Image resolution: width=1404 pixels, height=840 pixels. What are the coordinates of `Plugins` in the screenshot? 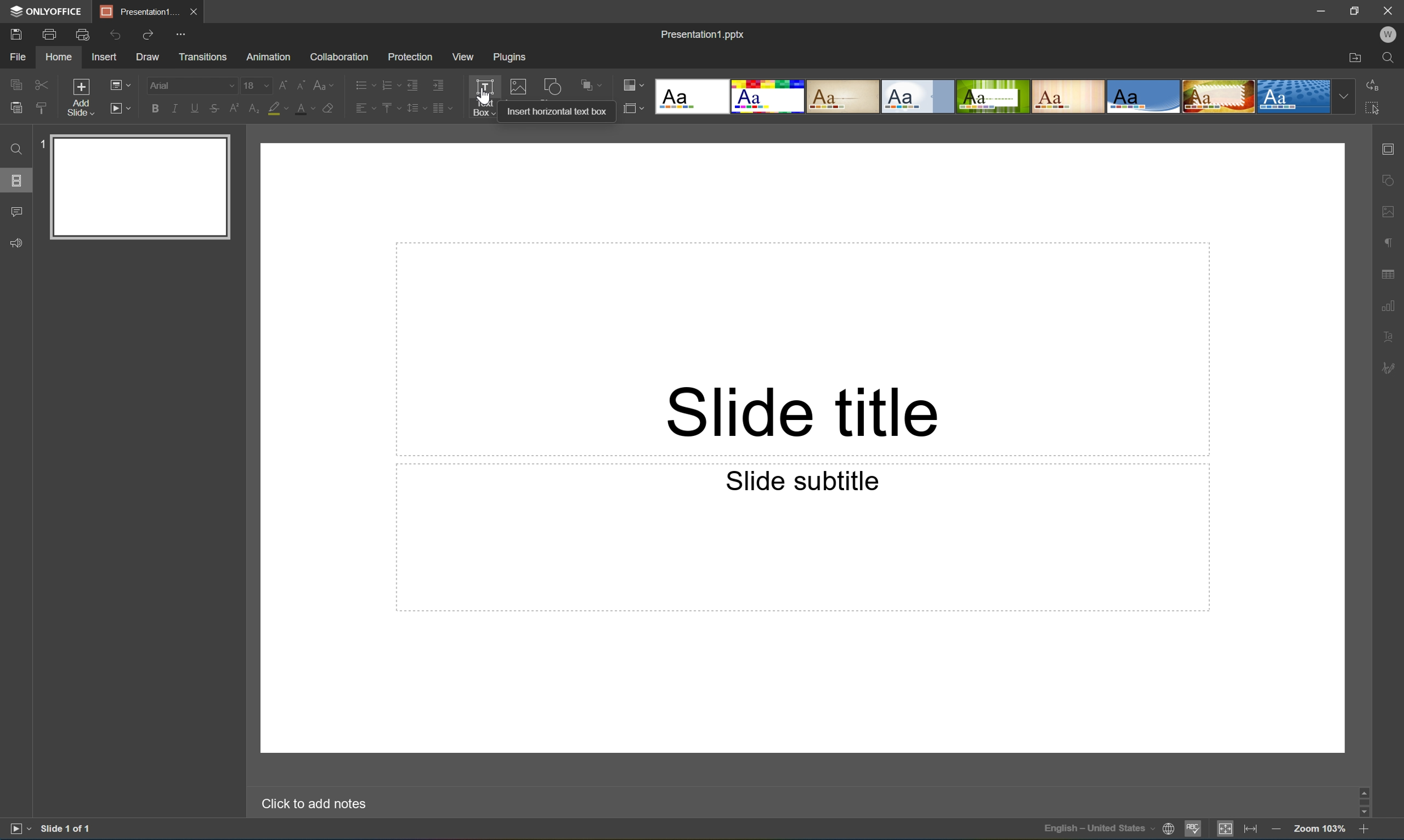 It's located at (512, 57).